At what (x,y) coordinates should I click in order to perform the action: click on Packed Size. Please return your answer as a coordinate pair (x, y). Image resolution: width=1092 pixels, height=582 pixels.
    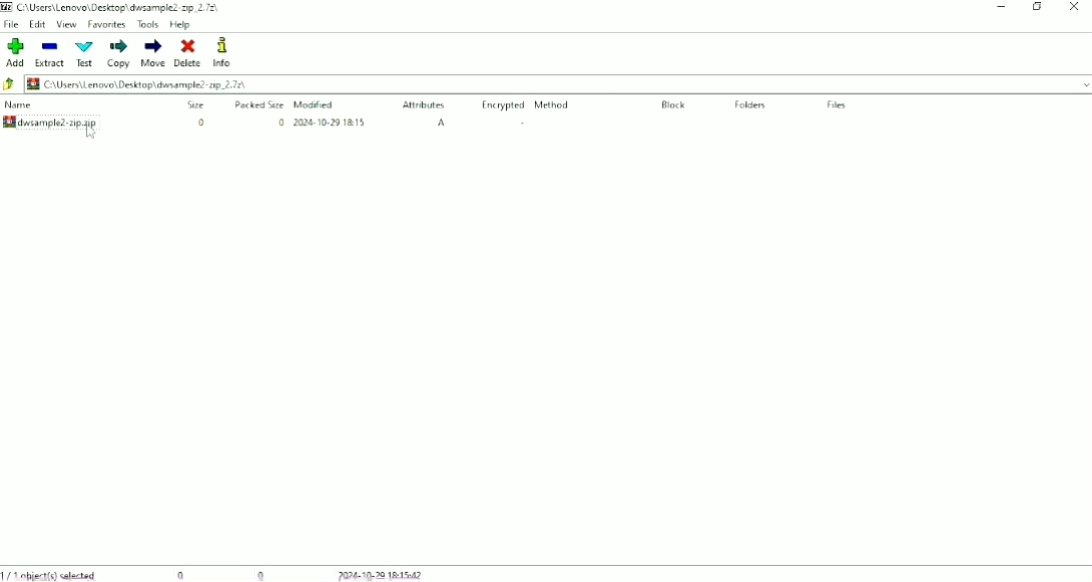
    Looking at the image, I should click on (260, 104).